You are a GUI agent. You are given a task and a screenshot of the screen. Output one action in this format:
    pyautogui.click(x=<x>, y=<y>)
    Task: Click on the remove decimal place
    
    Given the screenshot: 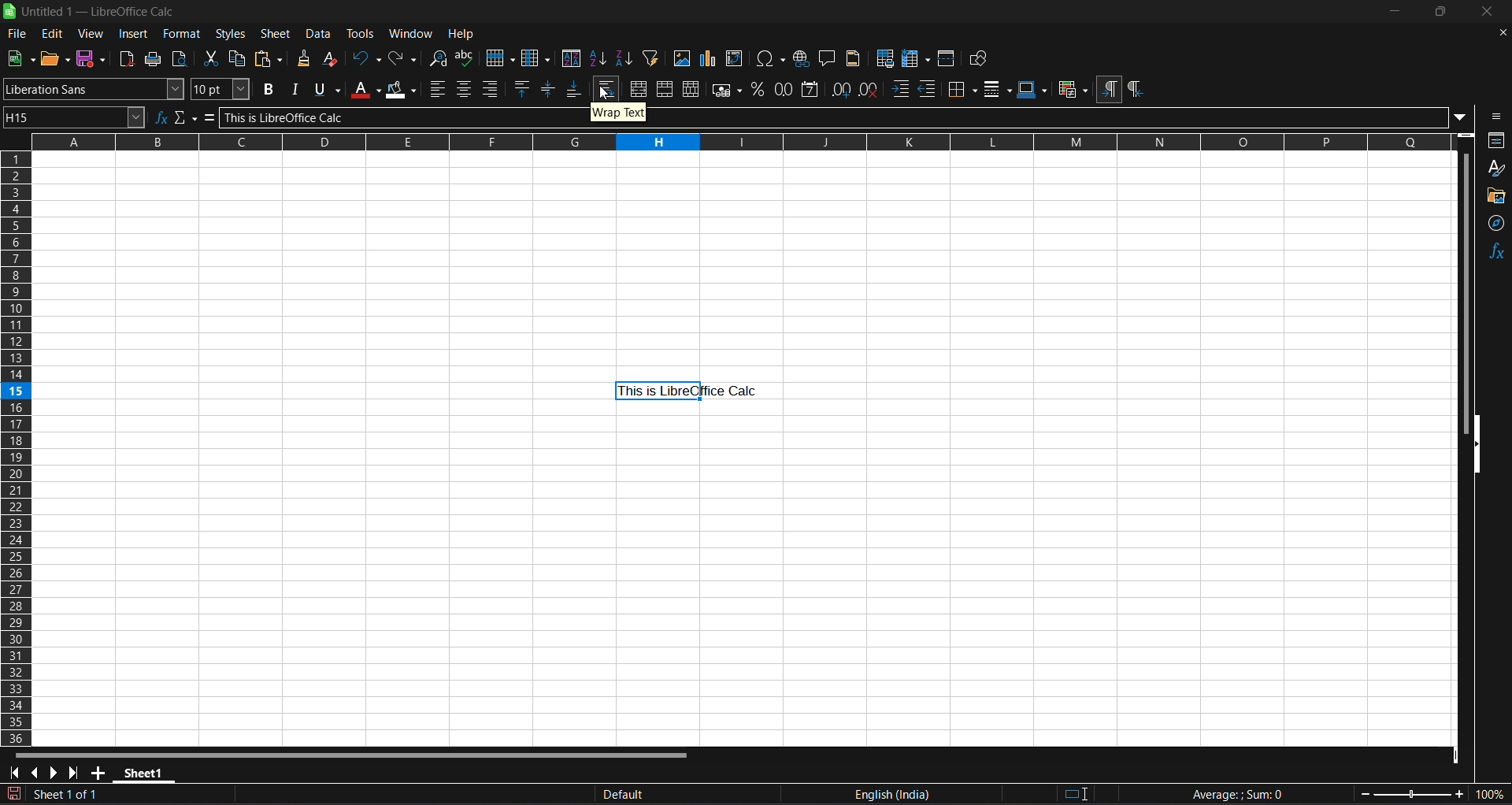 What is the action you would take?
    pyautogui.click(x=870, y=90)
    